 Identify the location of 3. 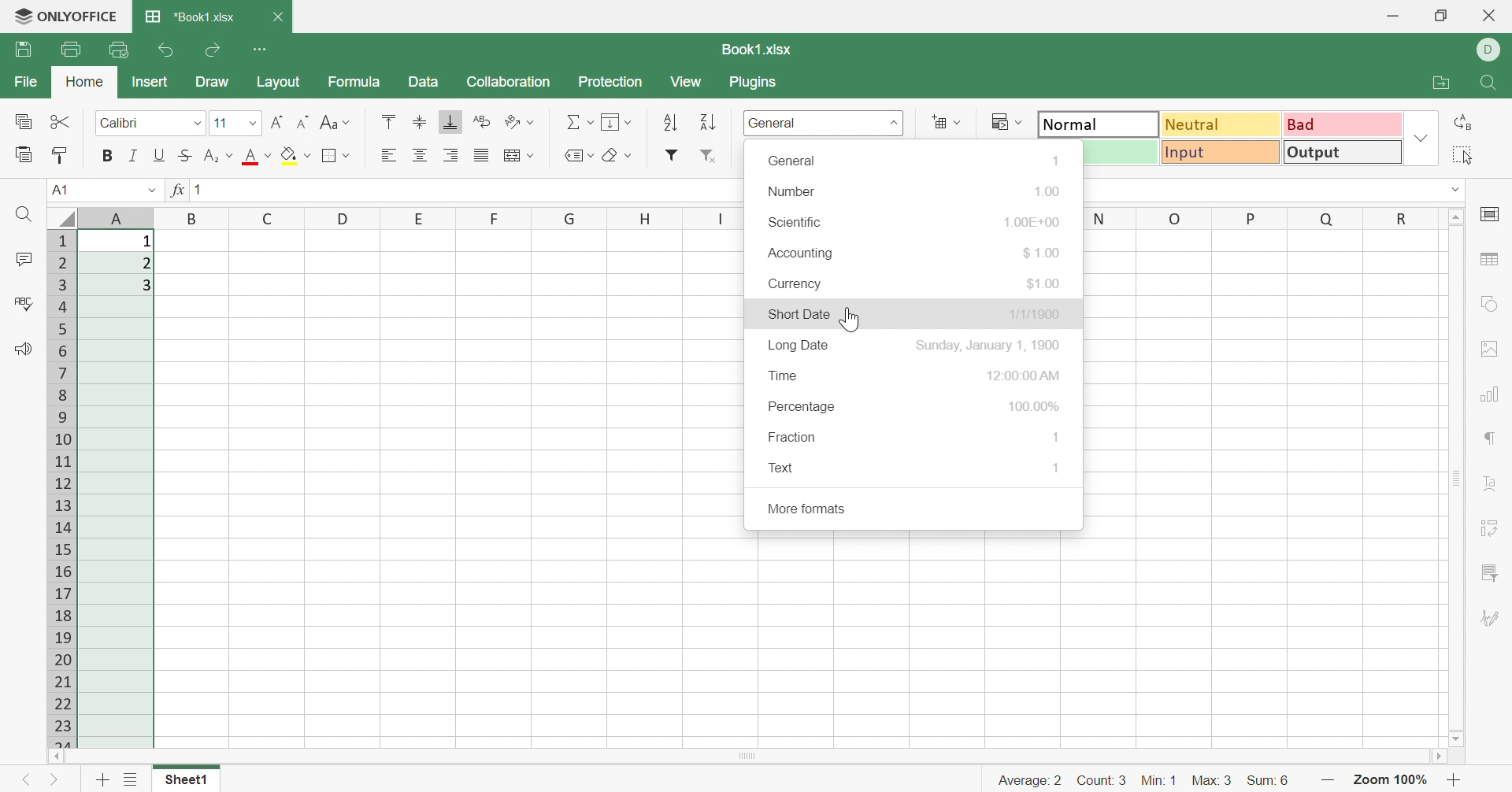
(146, 284).